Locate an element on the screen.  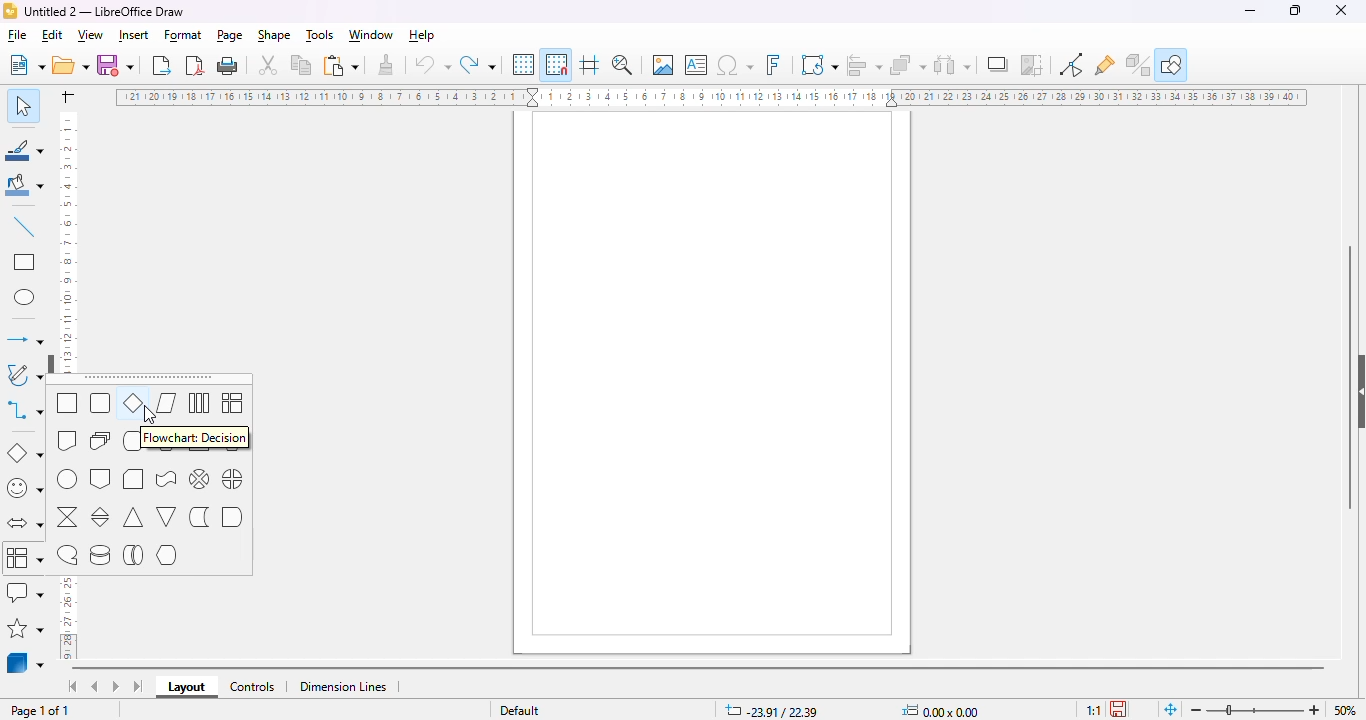
flowchart: sort is located at coordinates (101, 517).